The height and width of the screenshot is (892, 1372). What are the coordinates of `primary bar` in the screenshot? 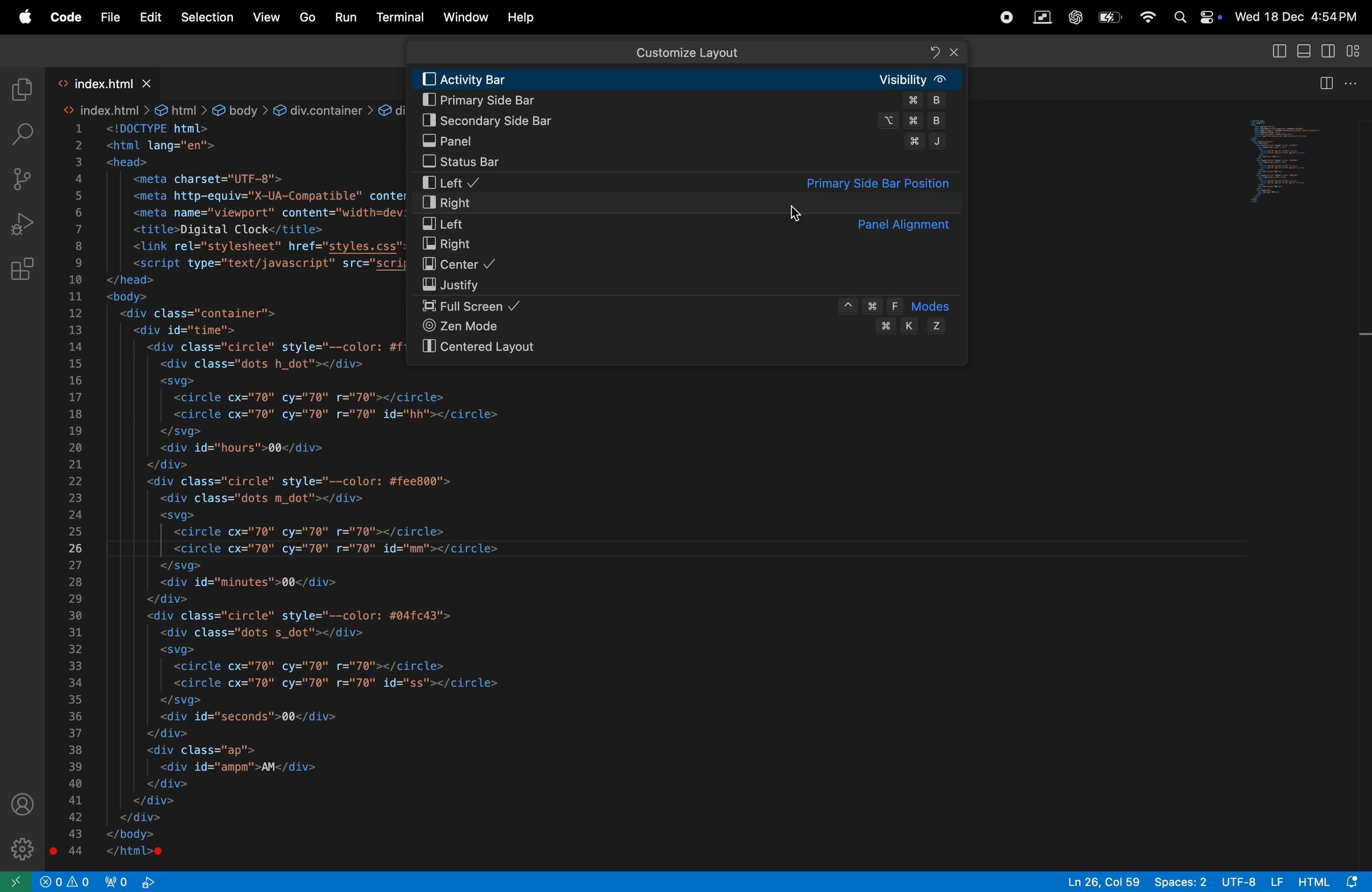 It's located at (687, 101).